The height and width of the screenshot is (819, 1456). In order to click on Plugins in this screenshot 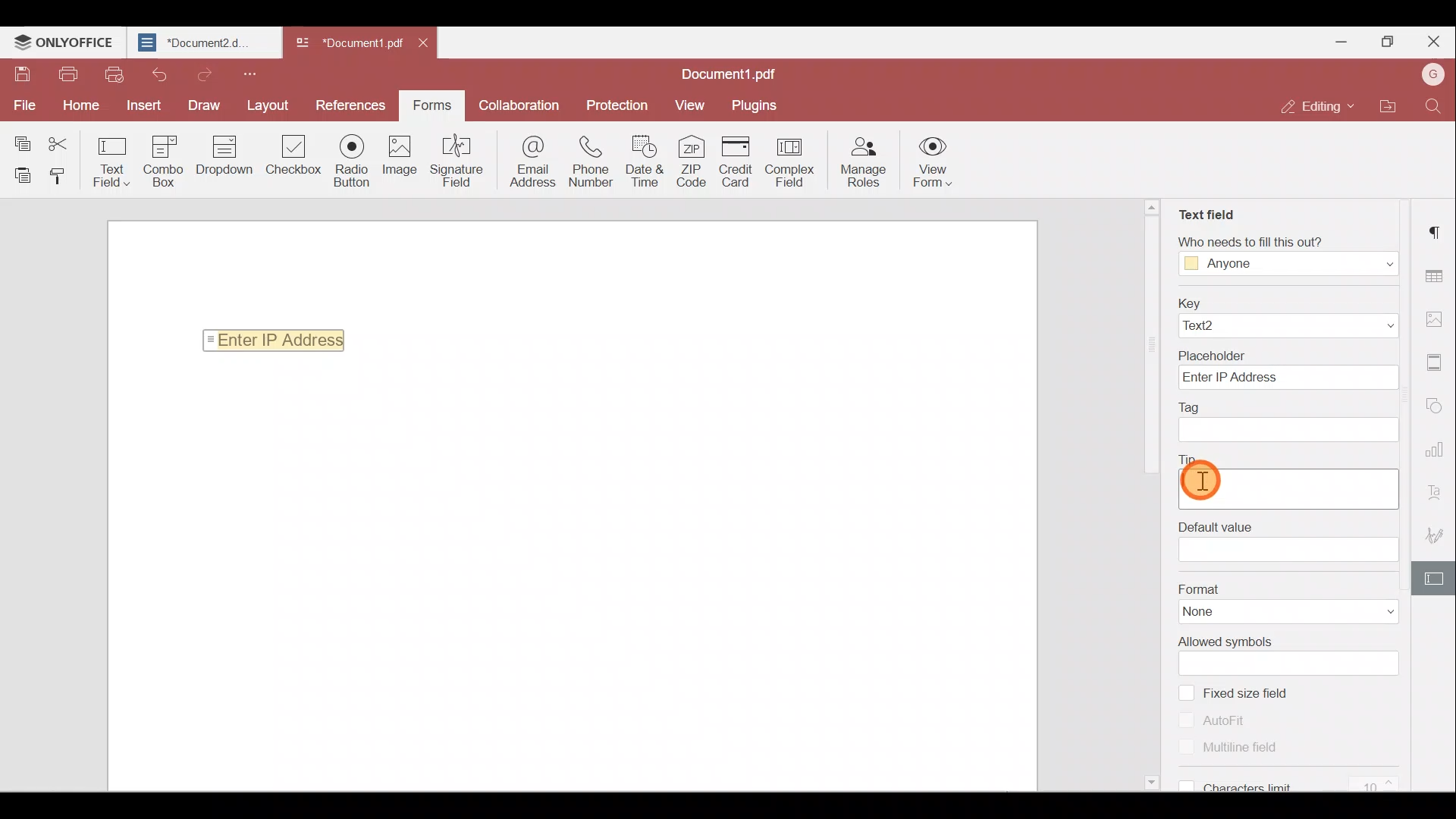, I will do `click(757, 105)`.